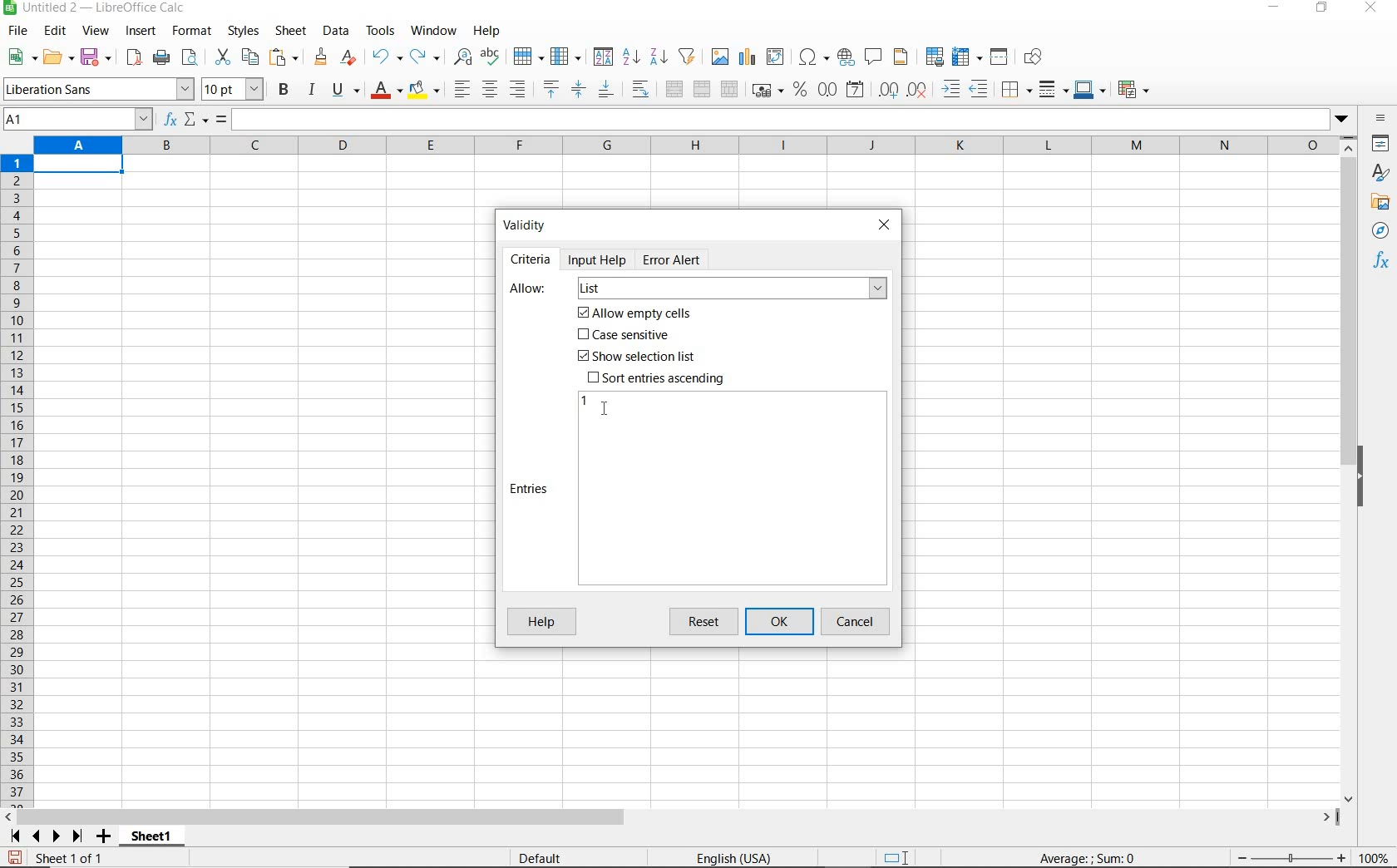  Describe the element at coordinates (75, 859) in the screenshot. I see `sheet 1 of 1` at that location.